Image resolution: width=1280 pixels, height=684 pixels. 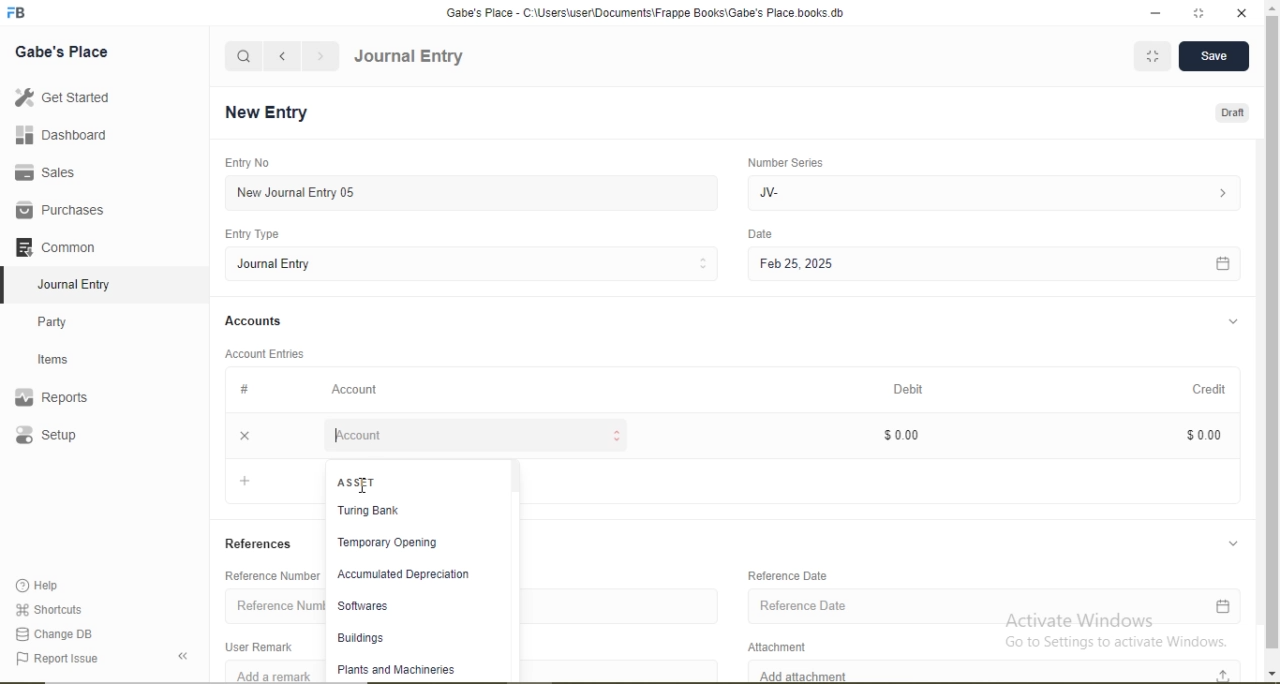 What do you see at coordinates (66, 320) in the screenshot?
I see `Party` at bounding box center [66, 320].